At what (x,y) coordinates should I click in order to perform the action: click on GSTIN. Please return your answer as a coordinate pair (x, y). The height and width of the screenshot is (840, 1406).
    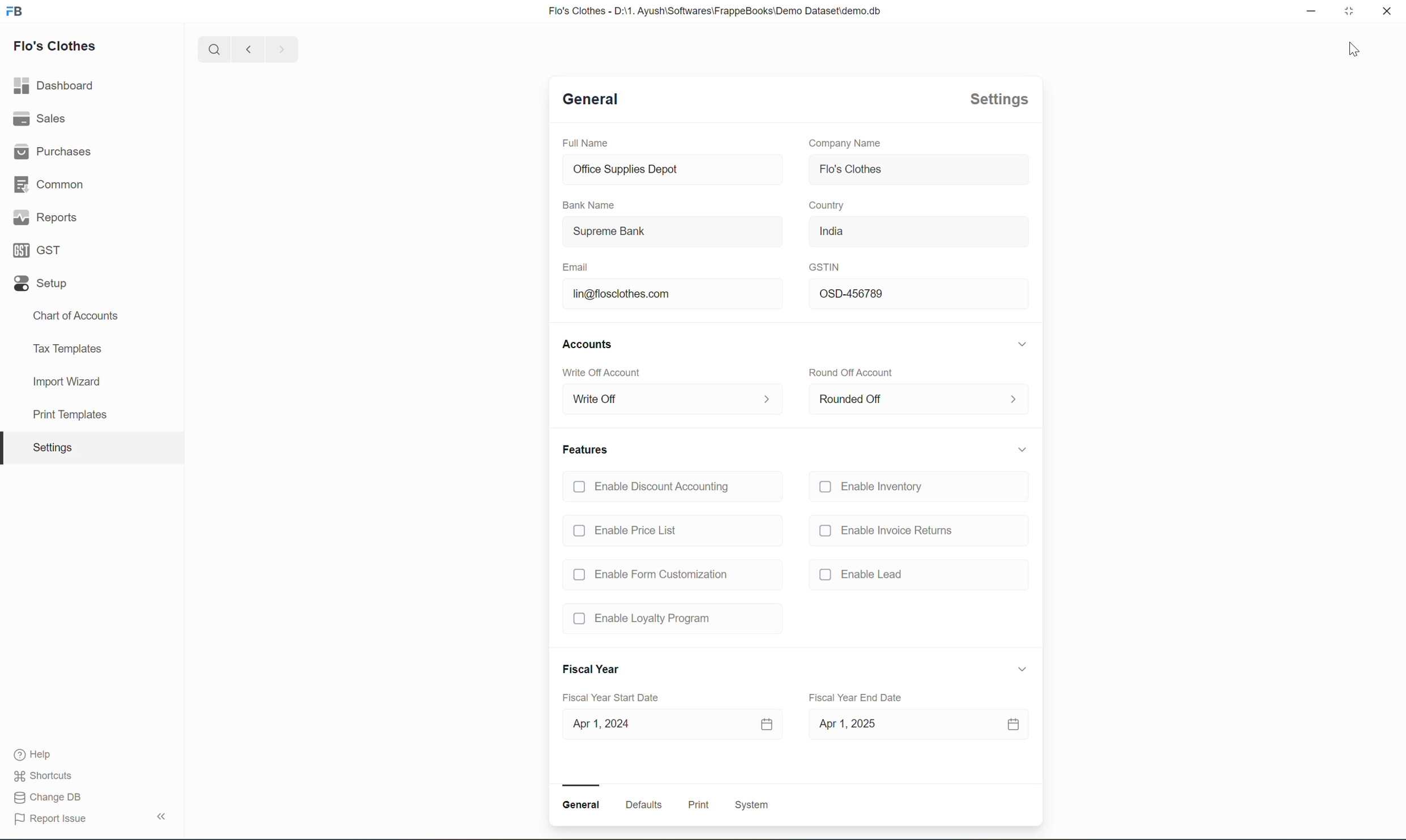
    Looking at the image, I should click on (824, 267).